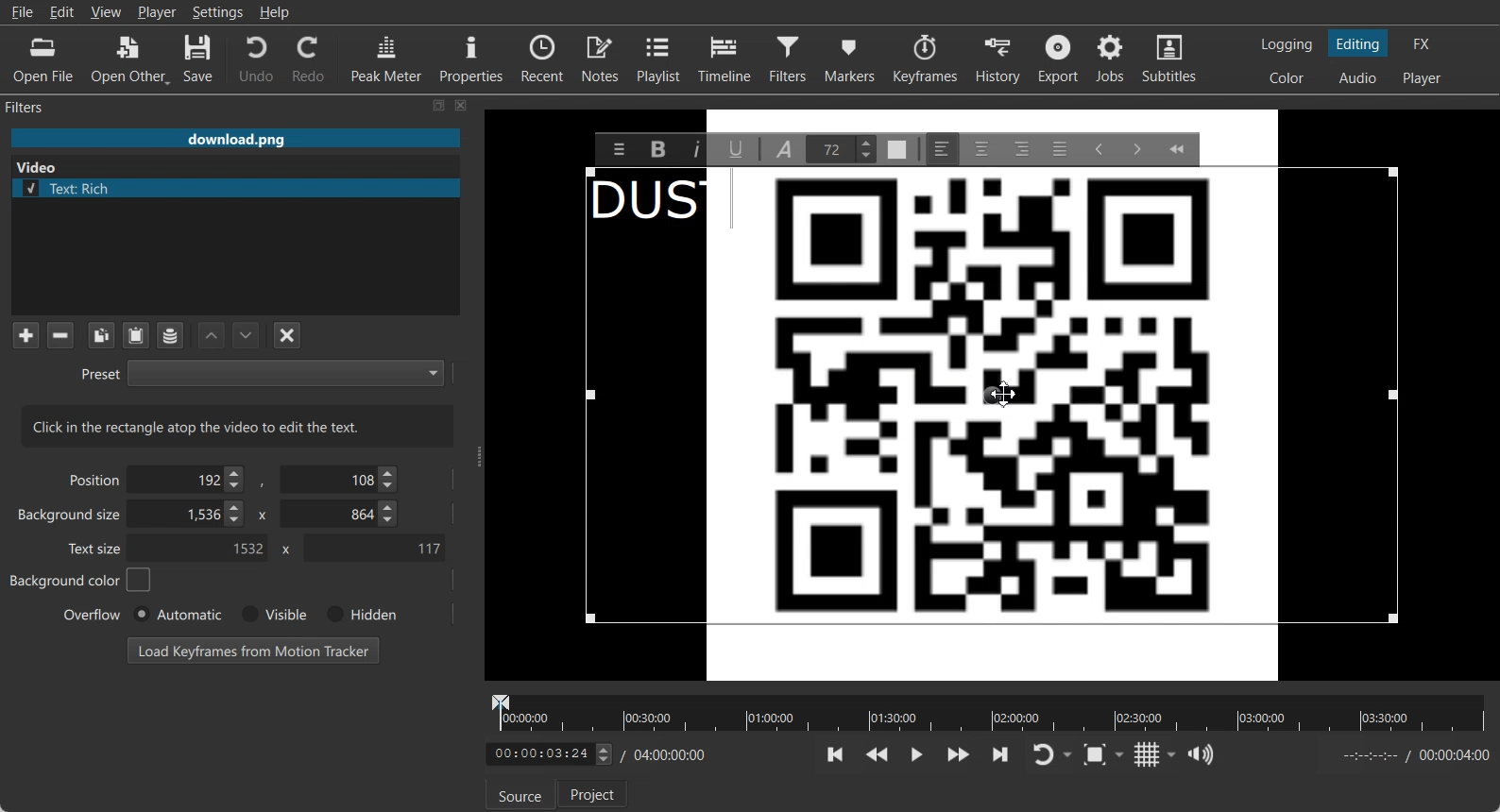  I want to click on Italic, so click(695, 149).